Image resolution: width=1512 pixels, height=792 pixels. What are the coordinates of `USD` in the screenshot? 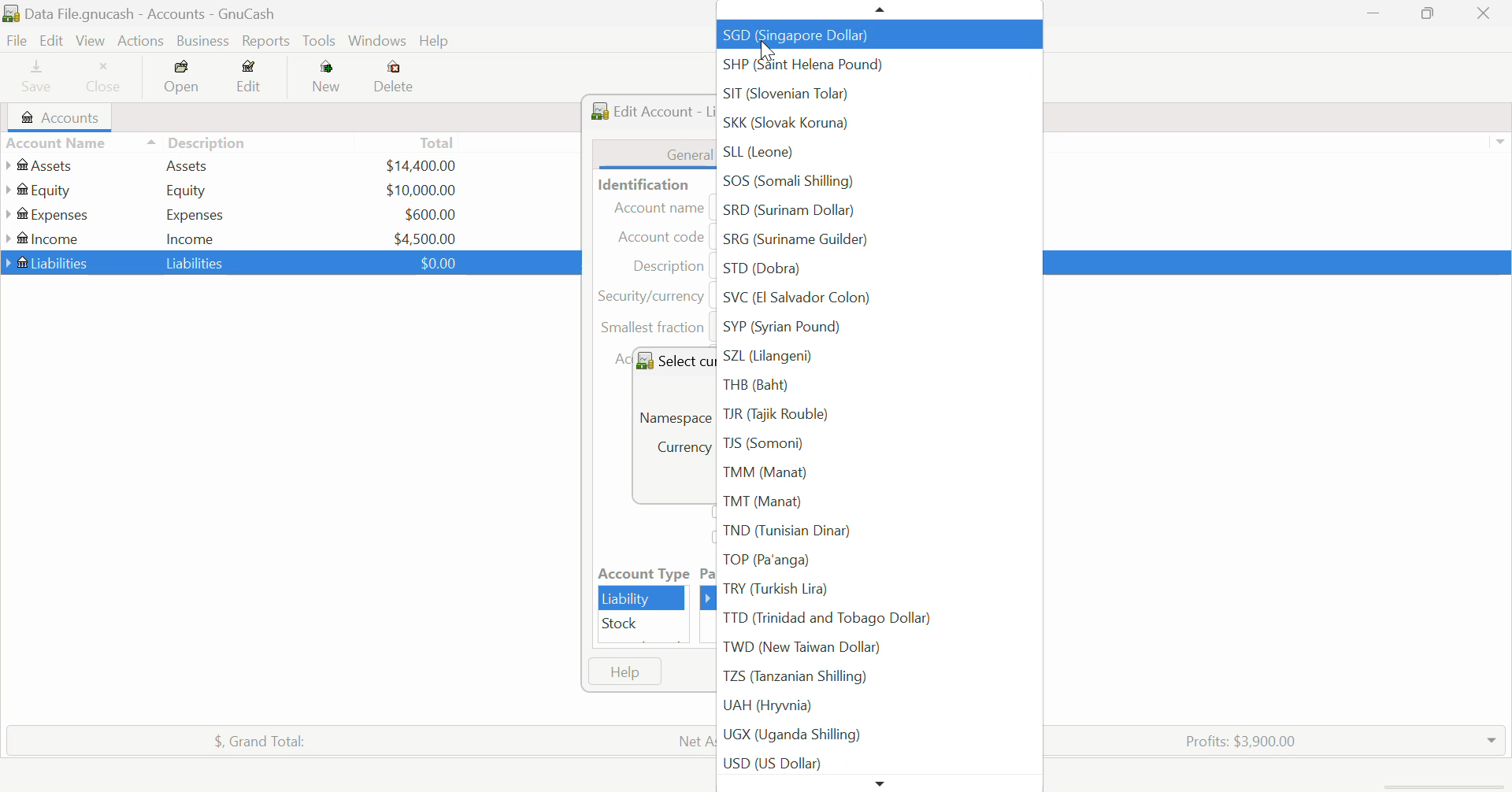 It's located at (421, 190).